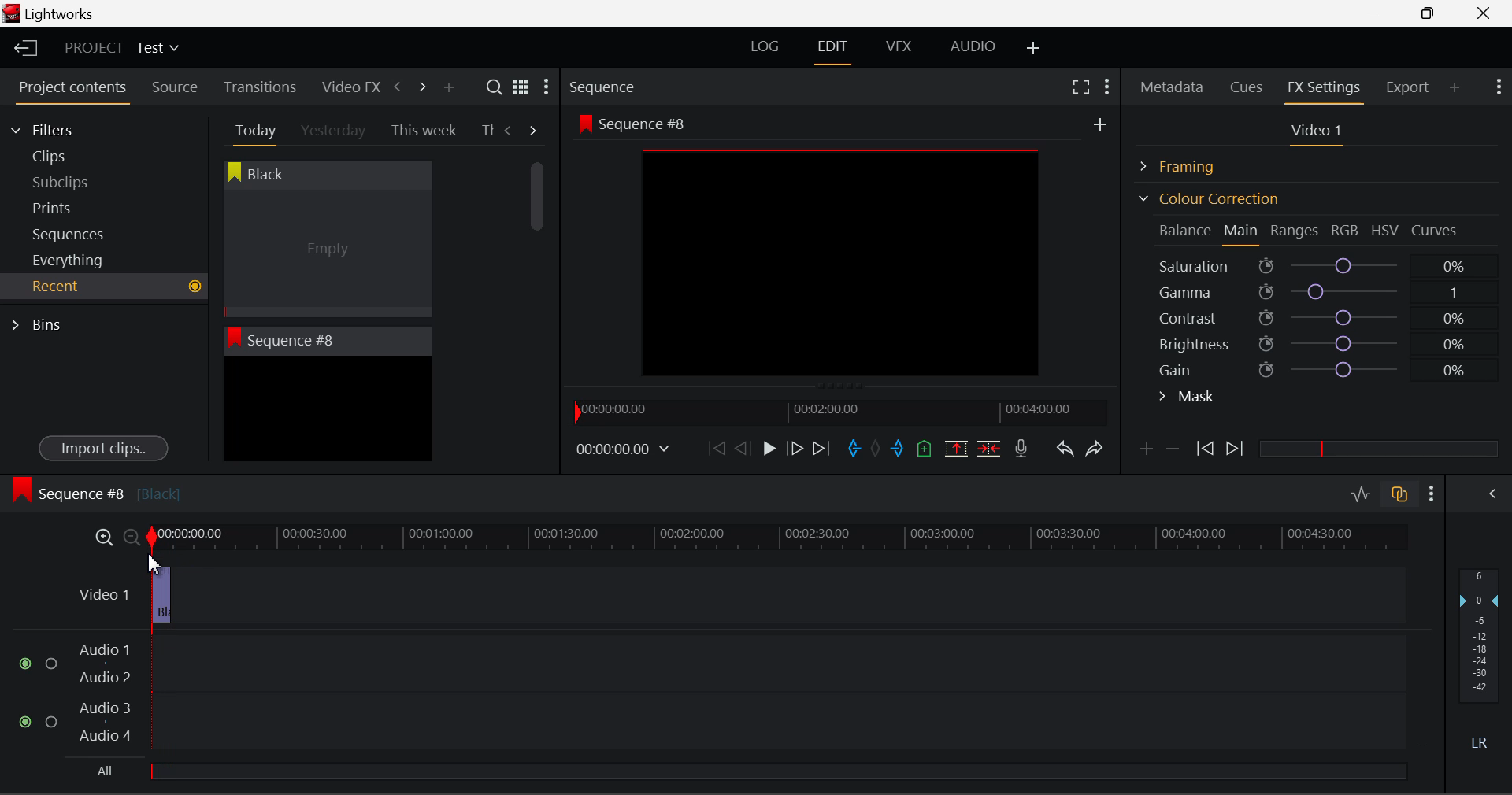 Image resolution: width=1512 pixels, height=795 pixels. I want to click on Back to Homepage, so click(20, 49).